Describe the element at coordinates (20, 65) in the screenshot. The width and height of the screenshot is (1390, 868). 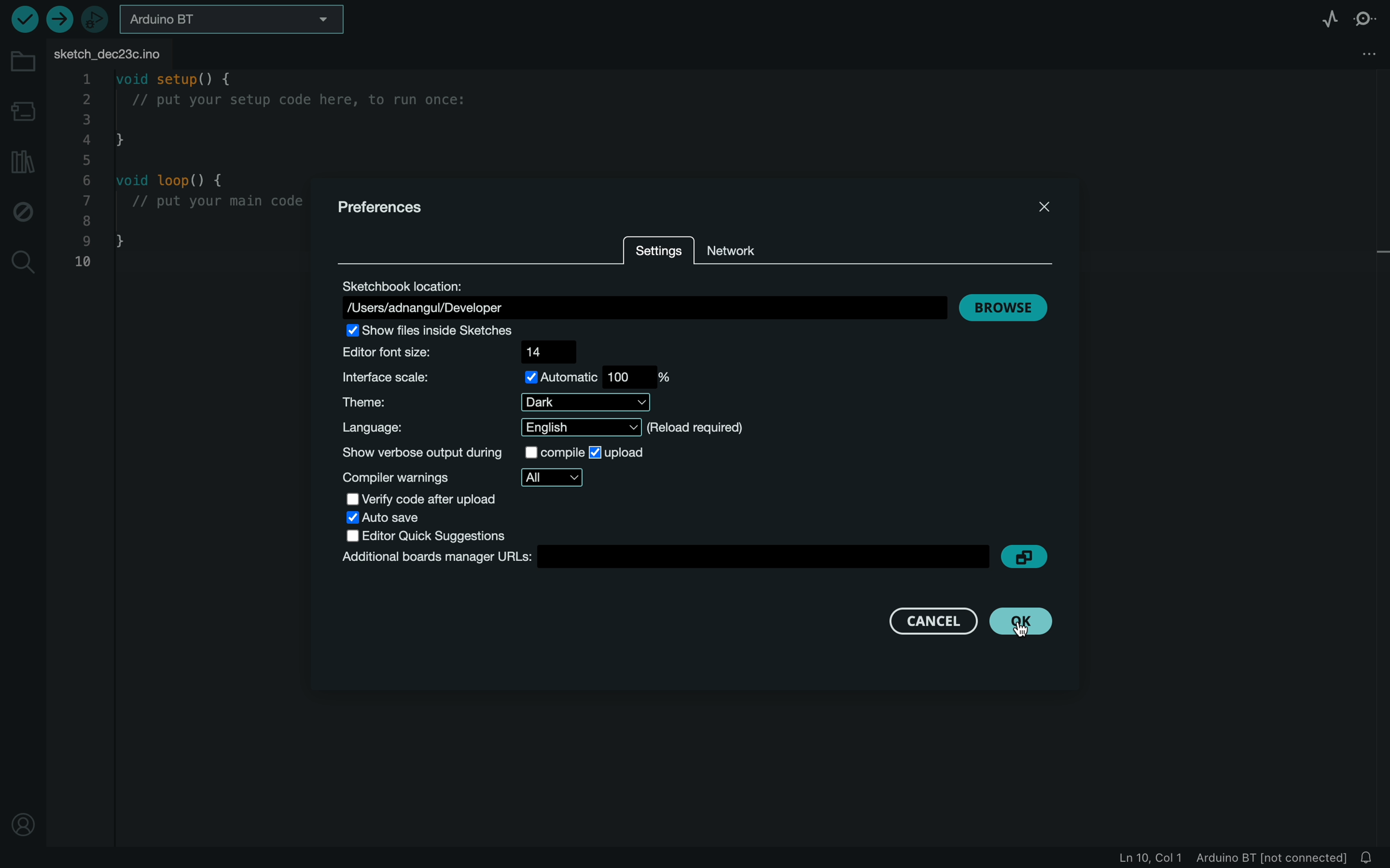
I see `folder` at that location.